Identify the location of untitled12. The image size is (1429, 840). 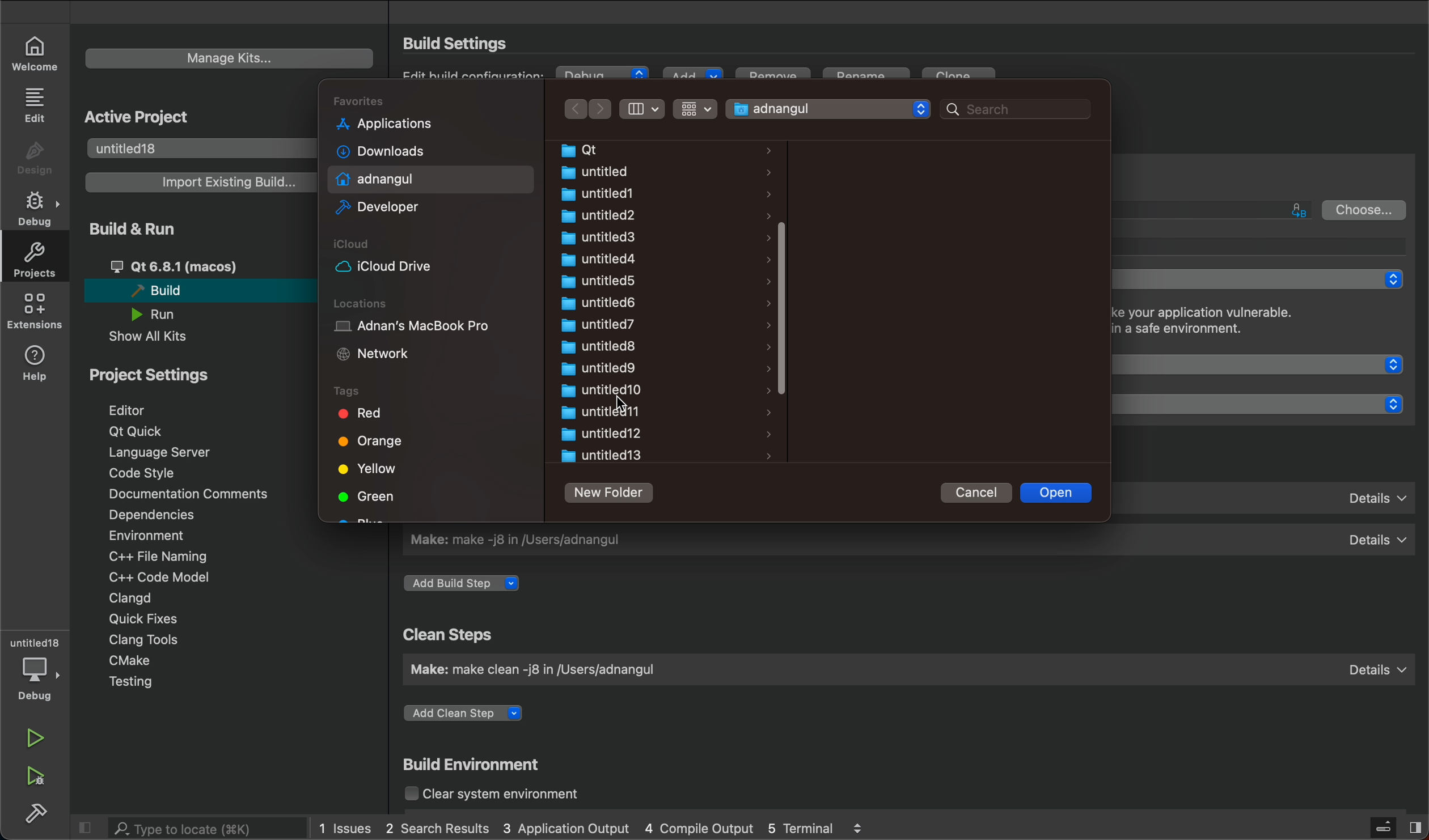
(665, 434).